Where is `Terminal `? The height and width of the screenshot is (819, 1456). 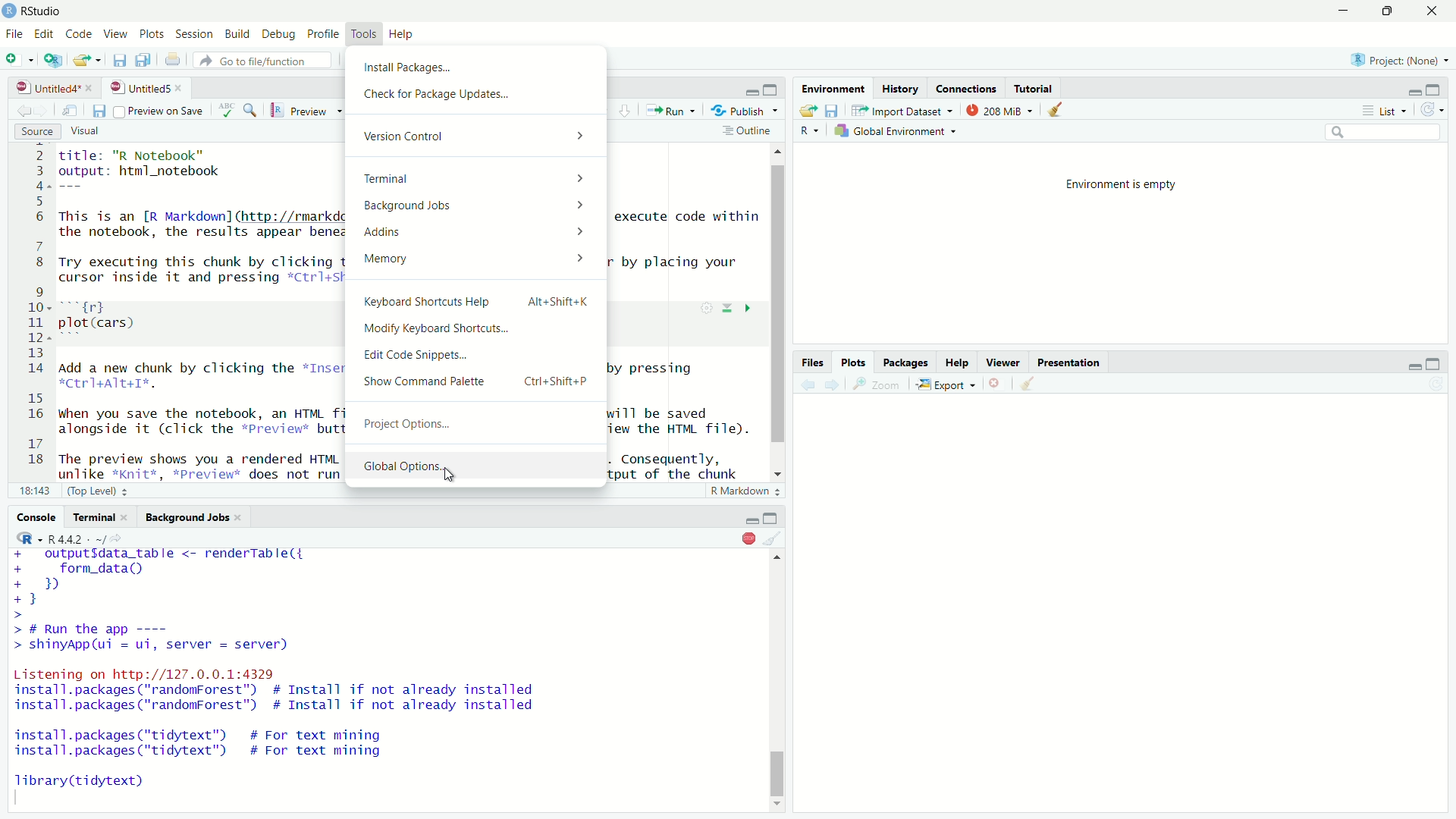 Terminal  is located at coordinates (470, 178).